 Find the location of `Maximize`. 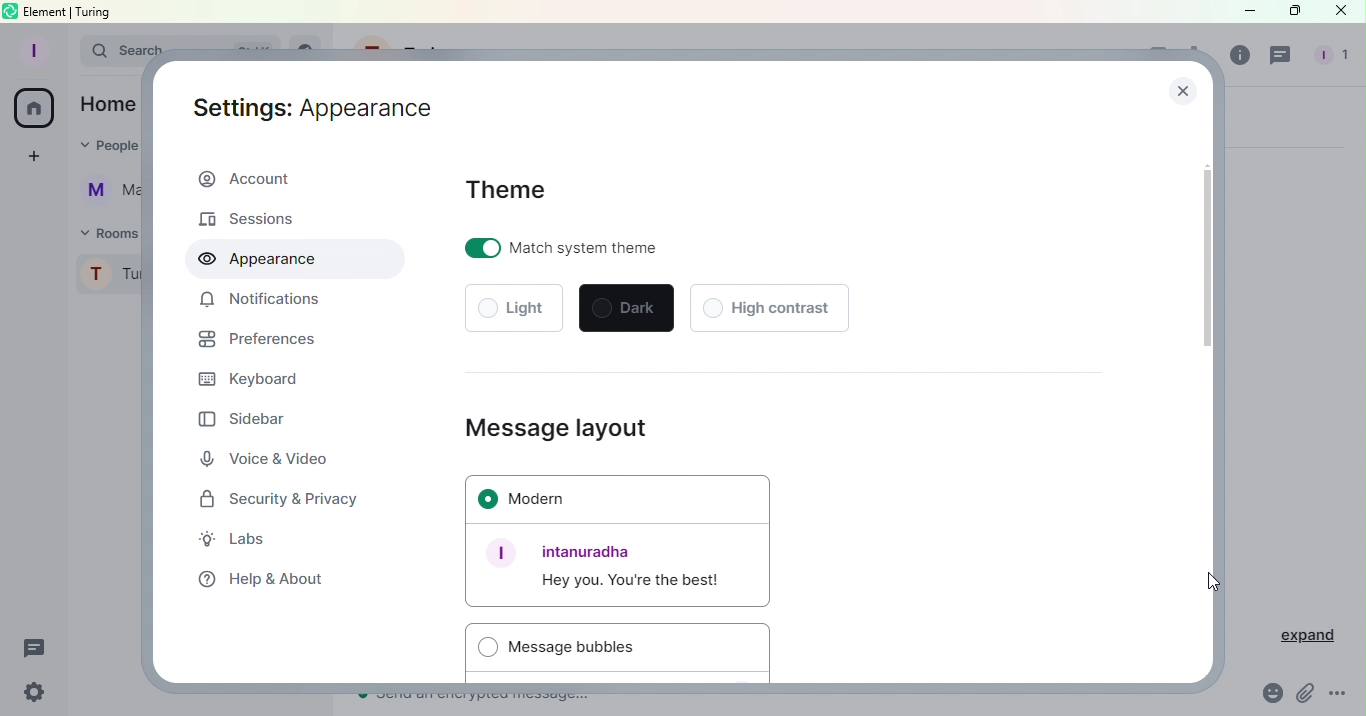

Maximize is located at coordinates (1294, 12).